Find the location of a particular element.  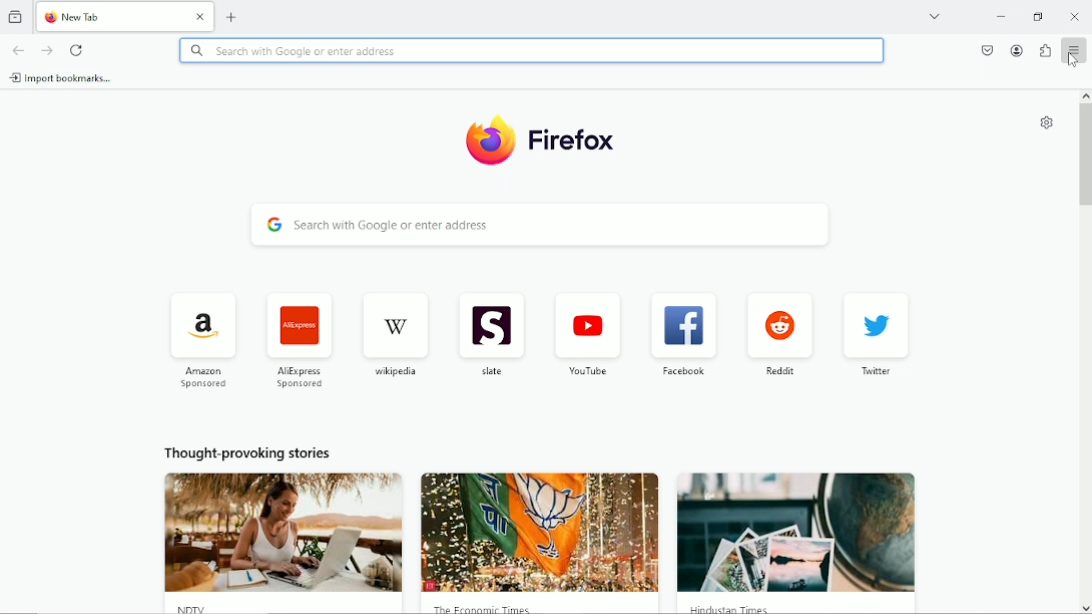

vertical scrollbar is located at coordinates (1083, 157).